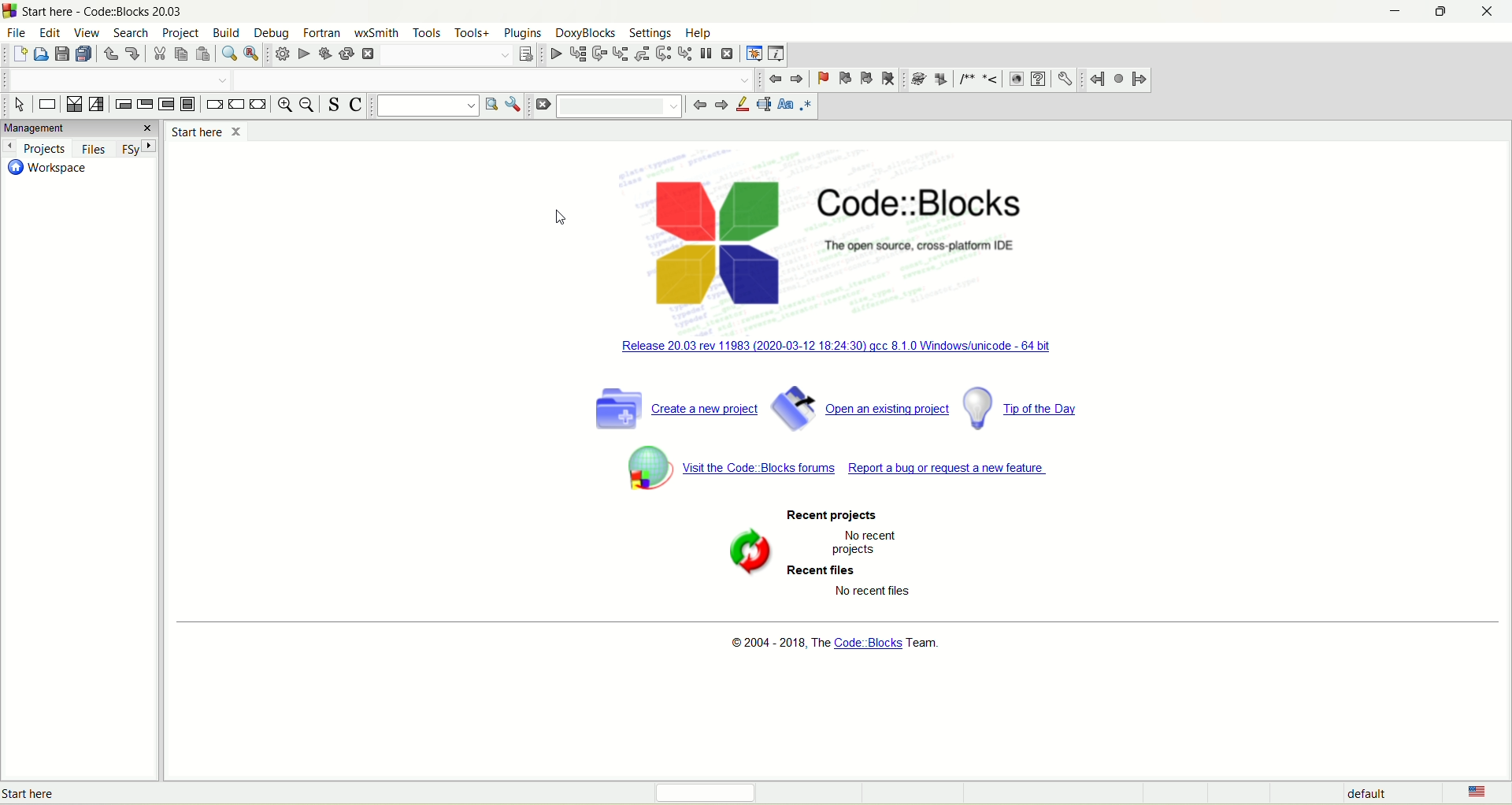  What do you see at coordinates (231, 54) in the screenshot?
I see `find` at bounding box center [231, 54].